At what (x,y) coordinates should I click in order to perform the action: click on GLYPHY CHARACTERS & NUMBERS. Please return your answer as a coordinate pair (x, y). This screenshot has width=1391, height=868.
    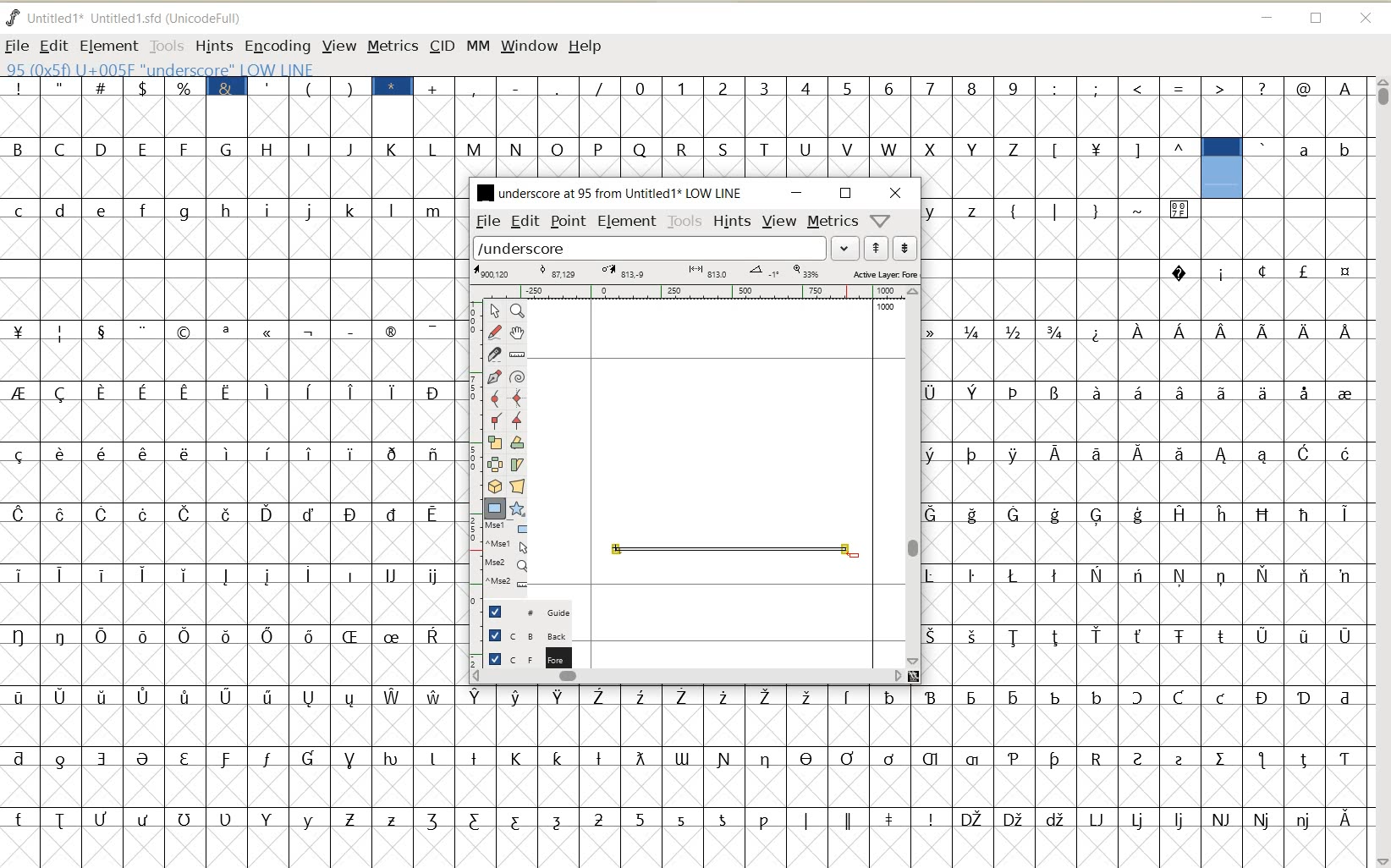
    Looking at the image, I should click on (688, 767).